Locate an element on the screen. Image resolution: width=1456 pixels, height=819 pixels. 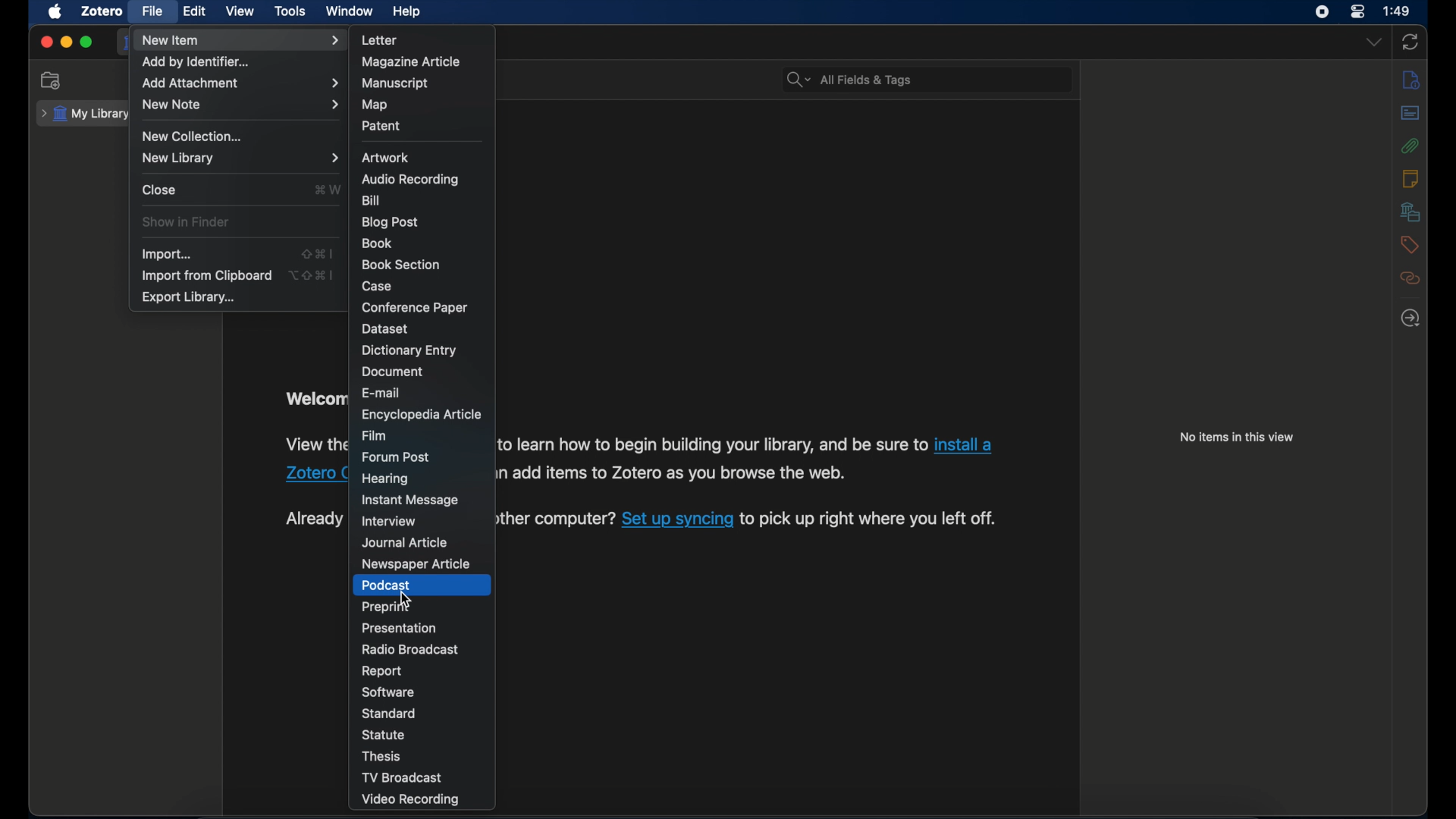
import is located at coordinates (168, 253).